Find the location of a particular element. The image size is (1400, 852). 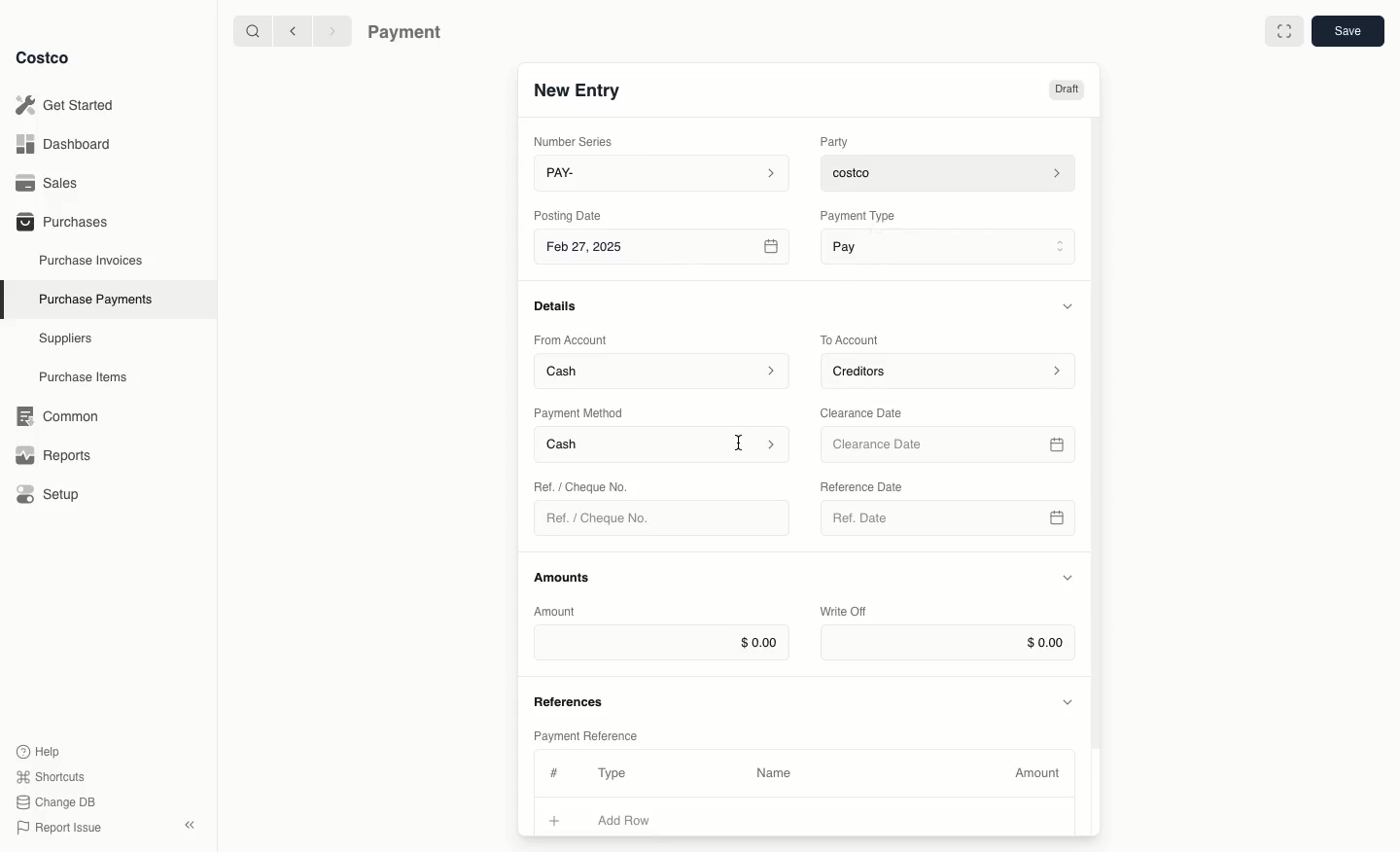

Purchase Items is located at coordinates (86, 377).